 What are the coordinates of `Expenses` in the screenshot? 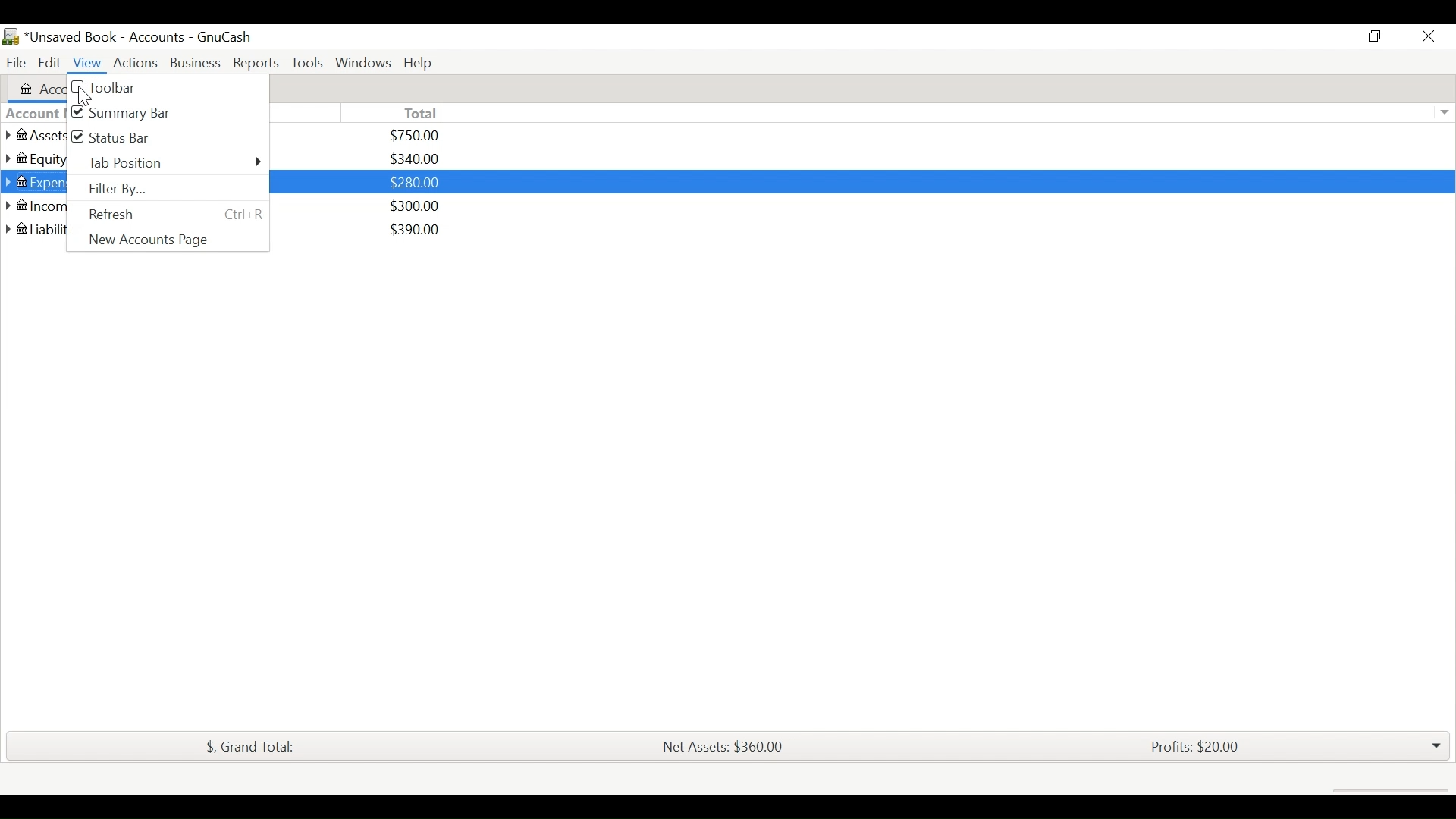 It's located at (34, 182).